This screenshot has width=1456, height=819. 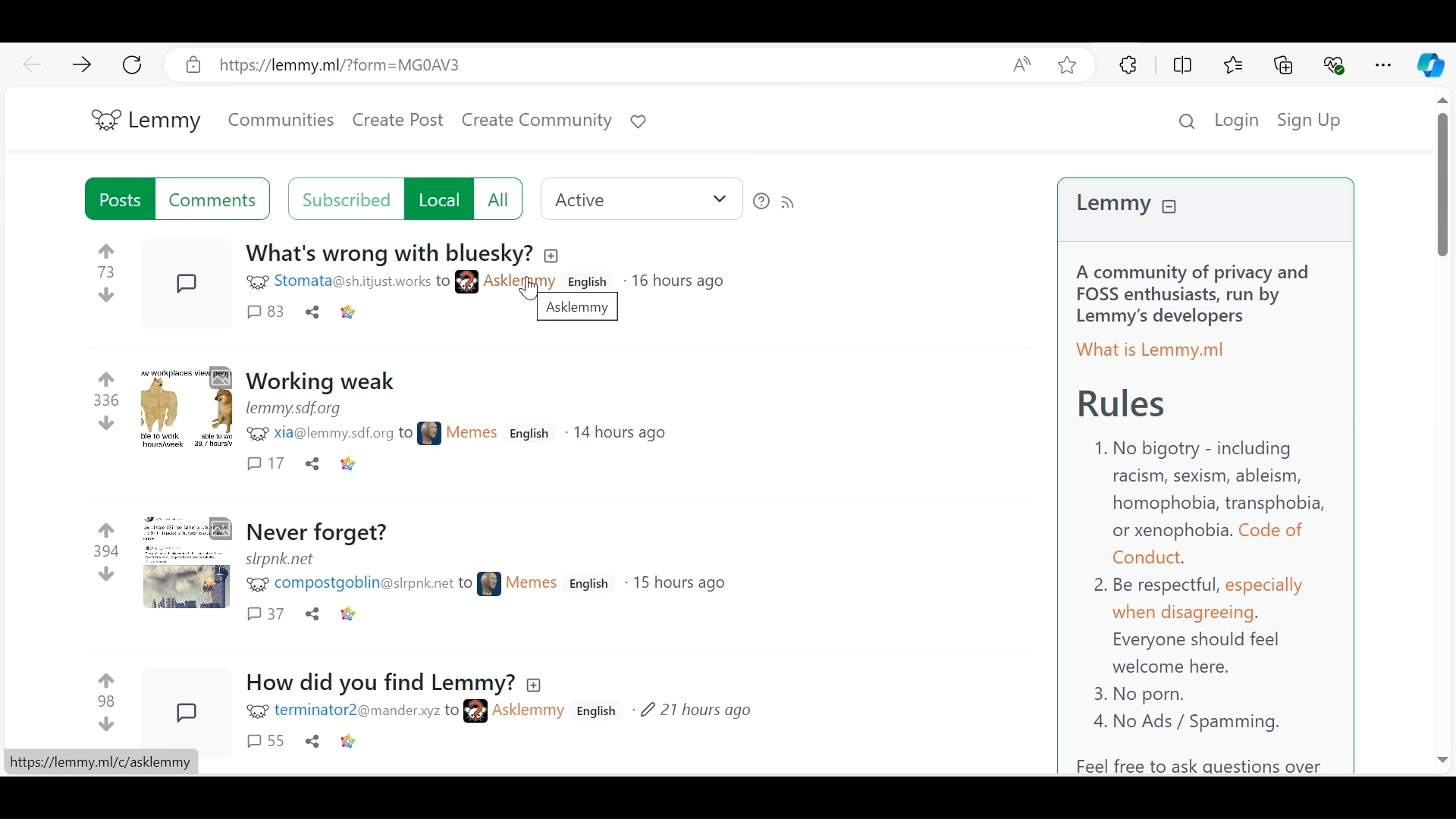 What do you see at coordinates (388, 256) in the screenshot?
I see `Post` at bounding box center [388, 256].